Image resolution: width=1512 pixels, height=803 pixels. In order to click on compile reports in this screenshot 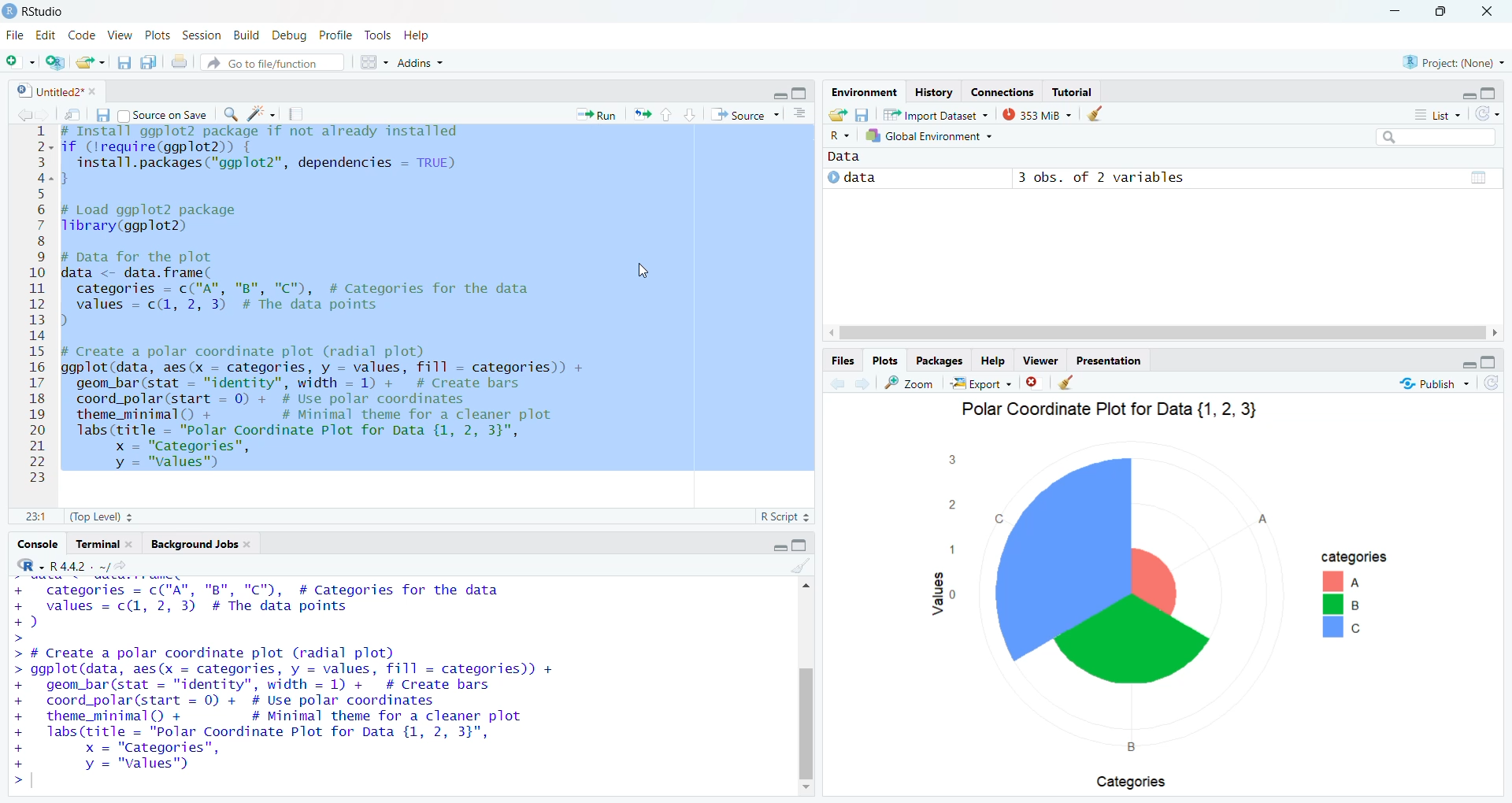, I will do `click(296, 113)`.